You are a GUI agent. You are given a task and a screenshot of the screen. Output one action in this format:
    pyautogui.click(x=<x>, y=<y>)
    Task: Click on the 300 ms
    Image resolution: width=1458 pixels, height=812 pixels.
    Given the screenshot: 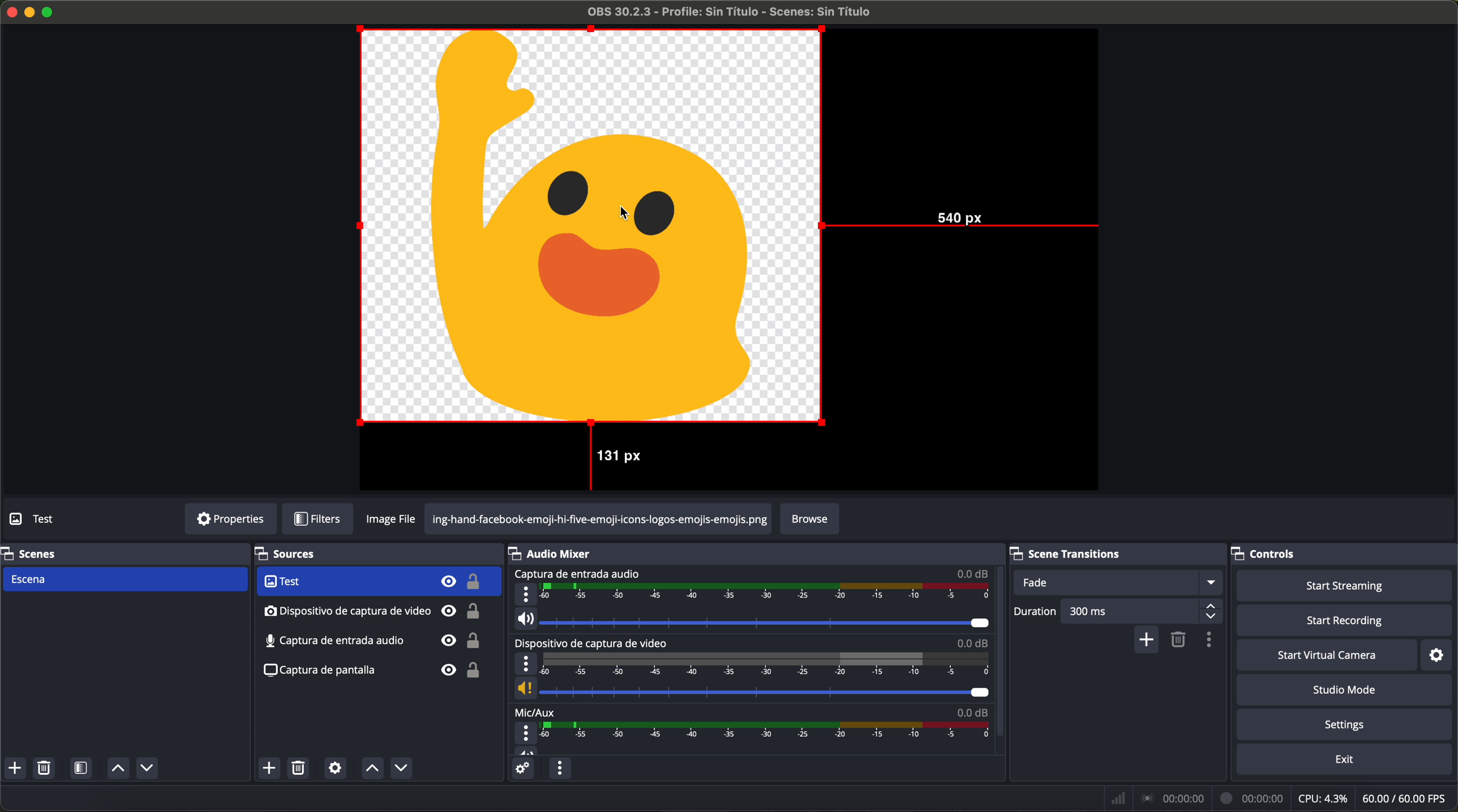 What is the action you would take?
    pyautogui.click(x=1143, y=611)
    